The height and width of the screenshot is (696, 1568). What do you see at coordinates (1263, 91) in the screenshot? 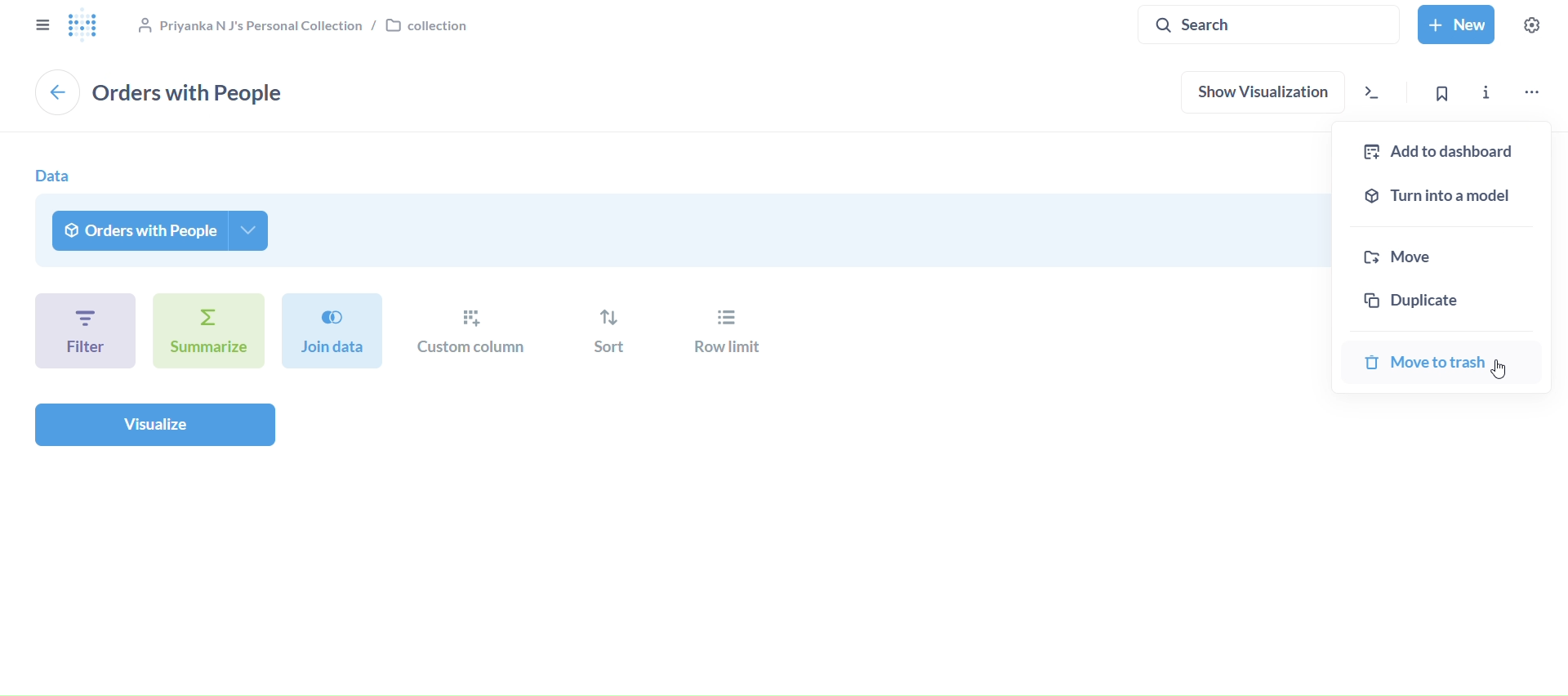
I see `show visualization` at bounding box center [1263, 91].